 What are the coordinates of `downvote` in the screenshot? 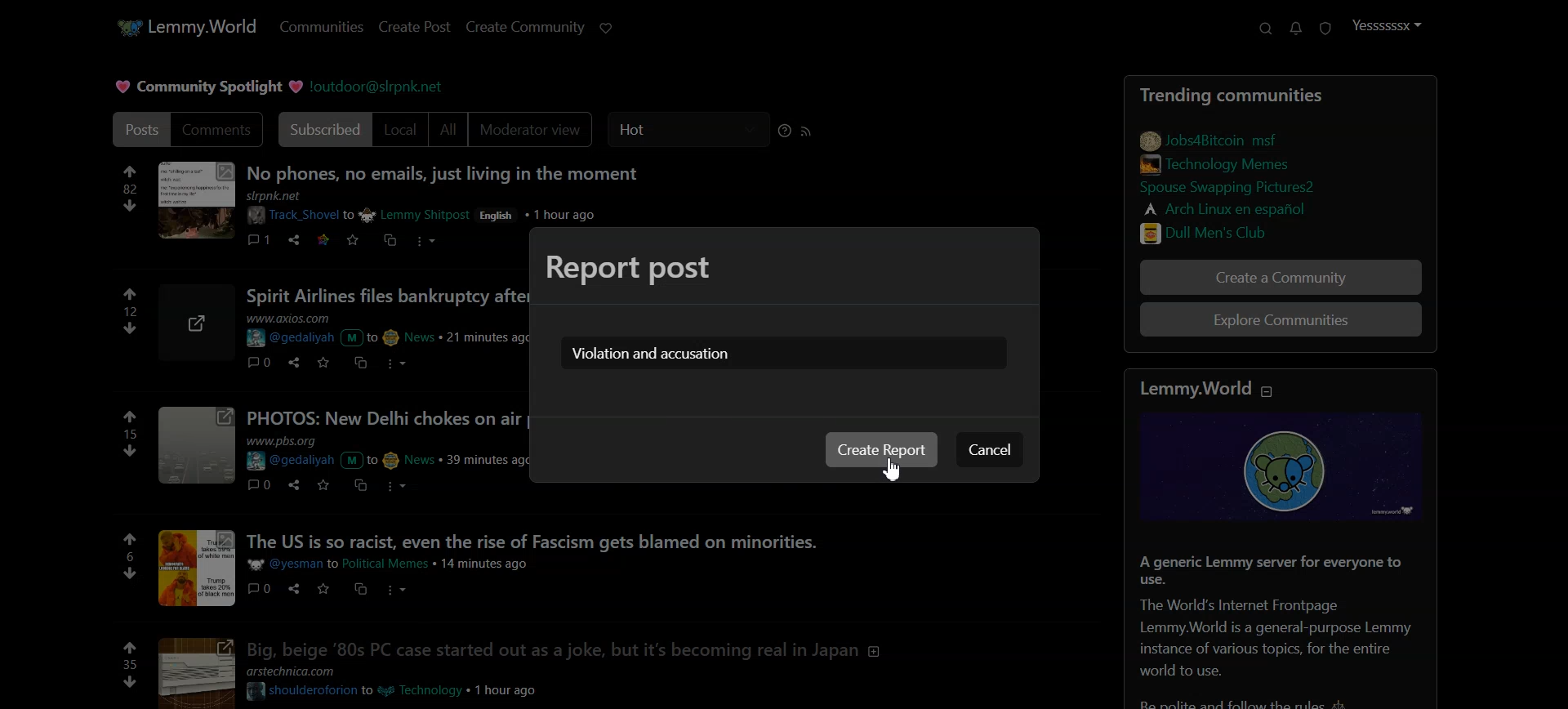 It's located at (130, 682).